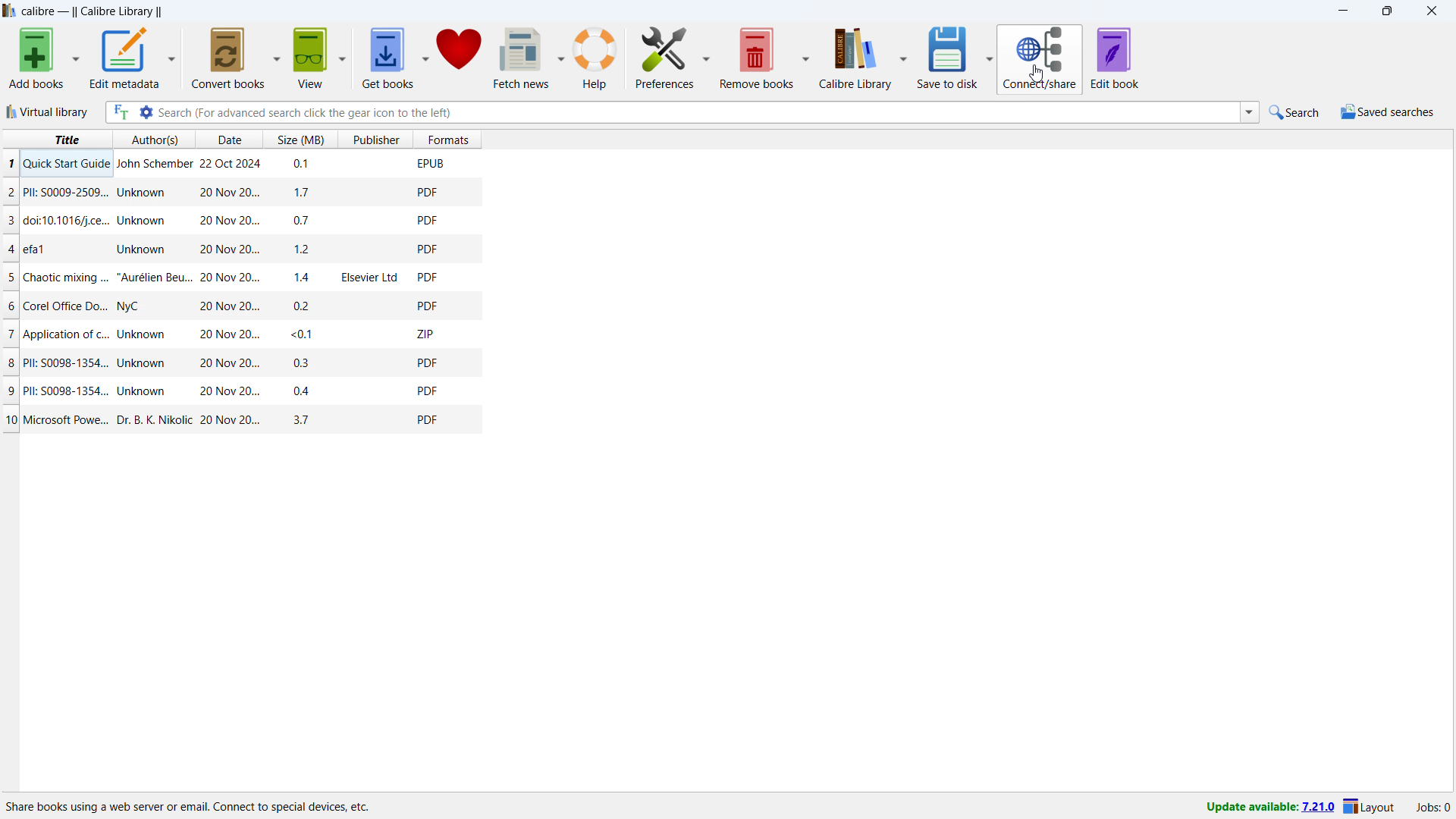  Describe the element at coordinates (561, 56) in the screenshot. I see `fetch news options` at that location.